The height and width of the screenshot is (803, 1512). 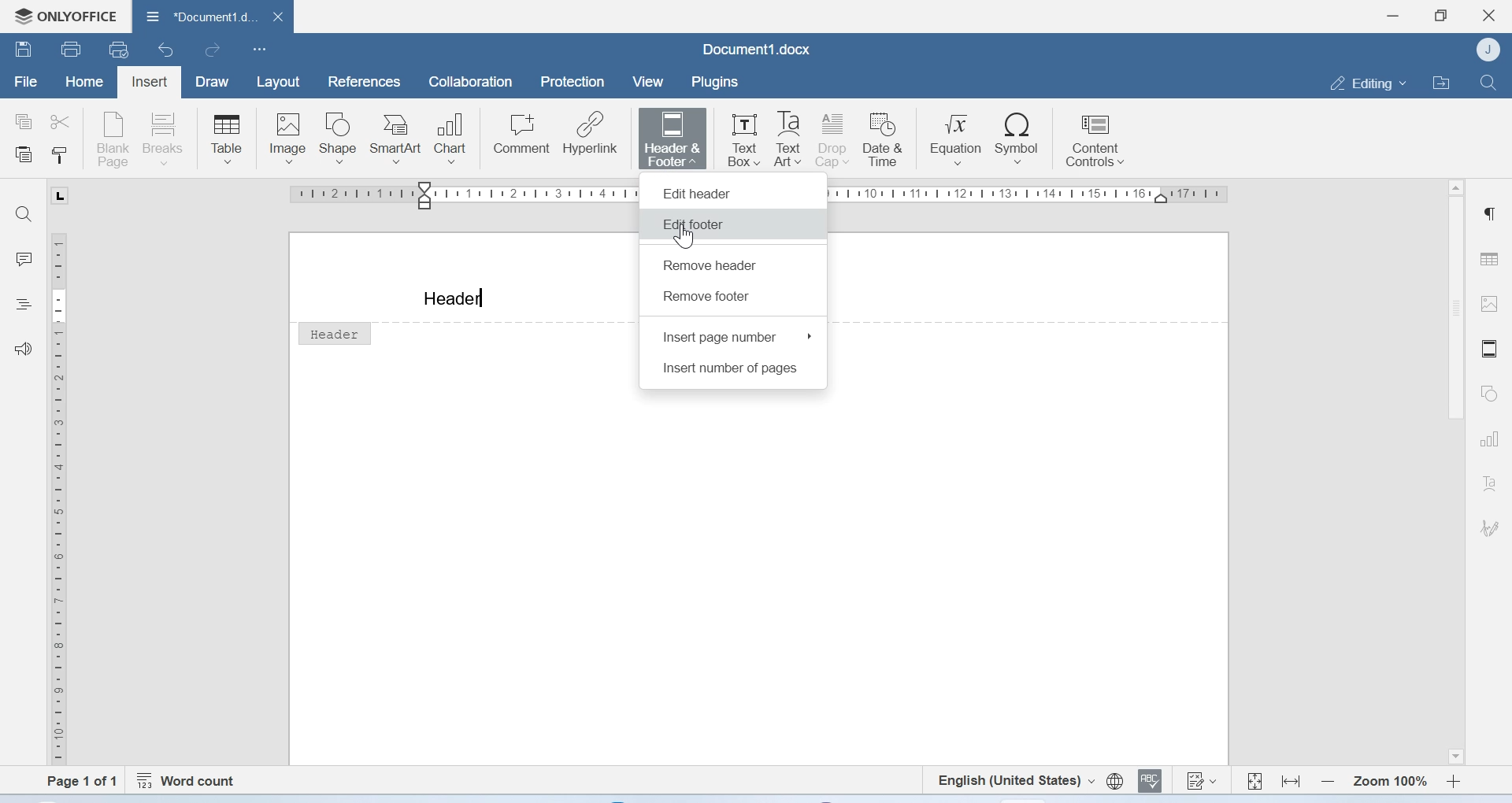 What do you see at coordinates (64, 120) in the screenshot?
I see `cut` at bounding box center [64, 120].